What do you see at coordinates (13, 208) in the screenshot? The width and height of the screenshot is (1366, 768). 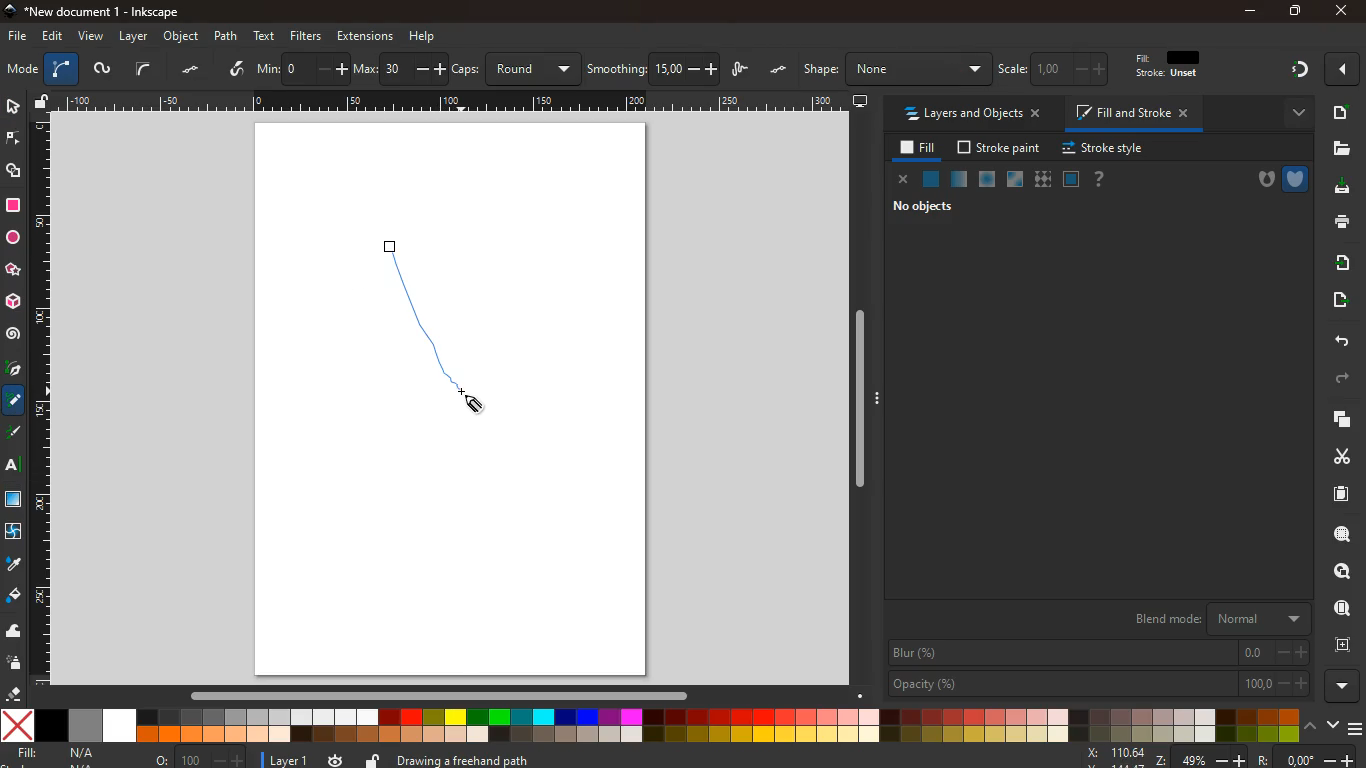 I see `square` at bounding box center [13, 208].